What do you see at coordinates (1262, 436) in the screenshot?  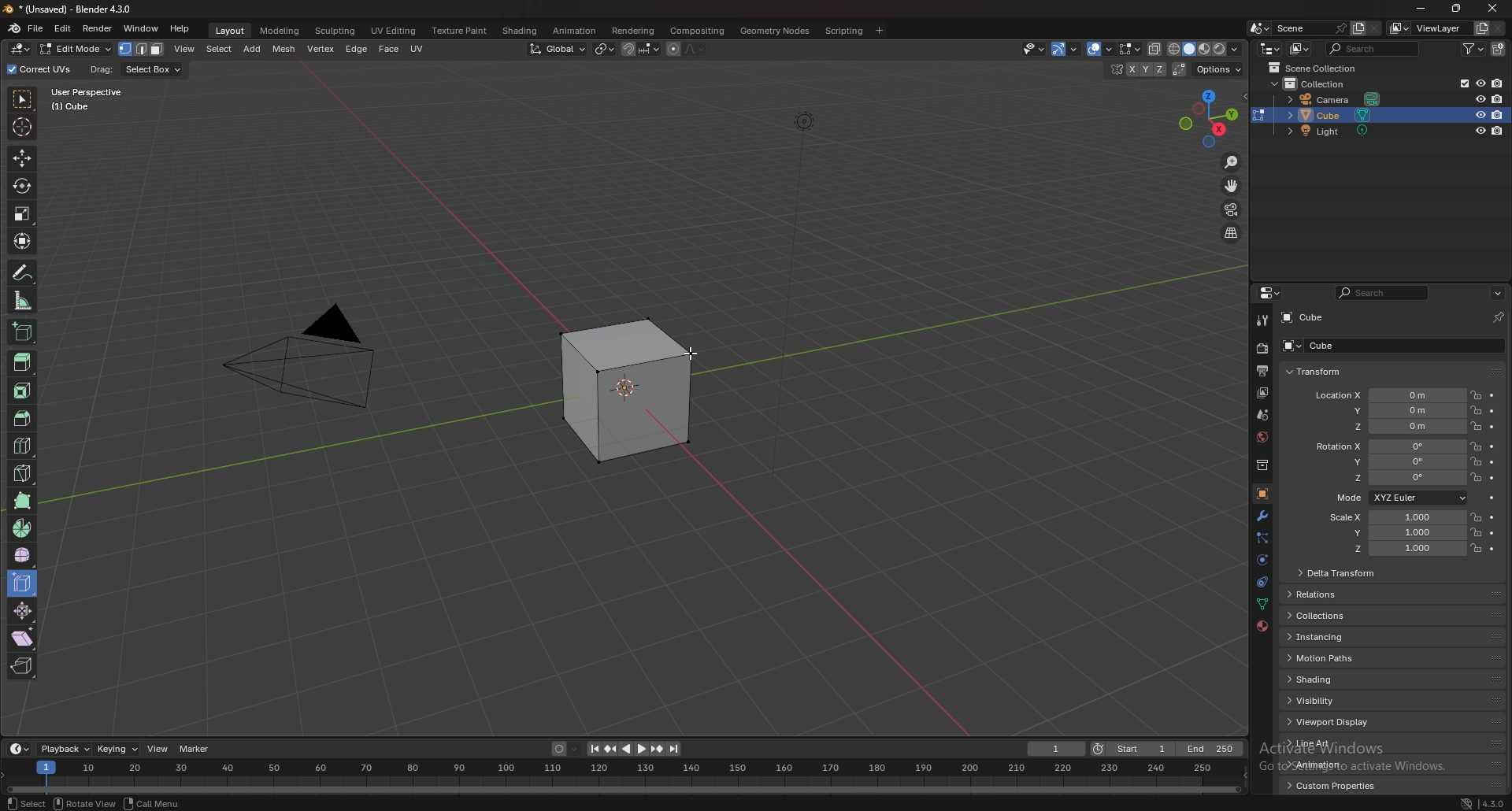 I see `world` at bounding box center [1262, 436].